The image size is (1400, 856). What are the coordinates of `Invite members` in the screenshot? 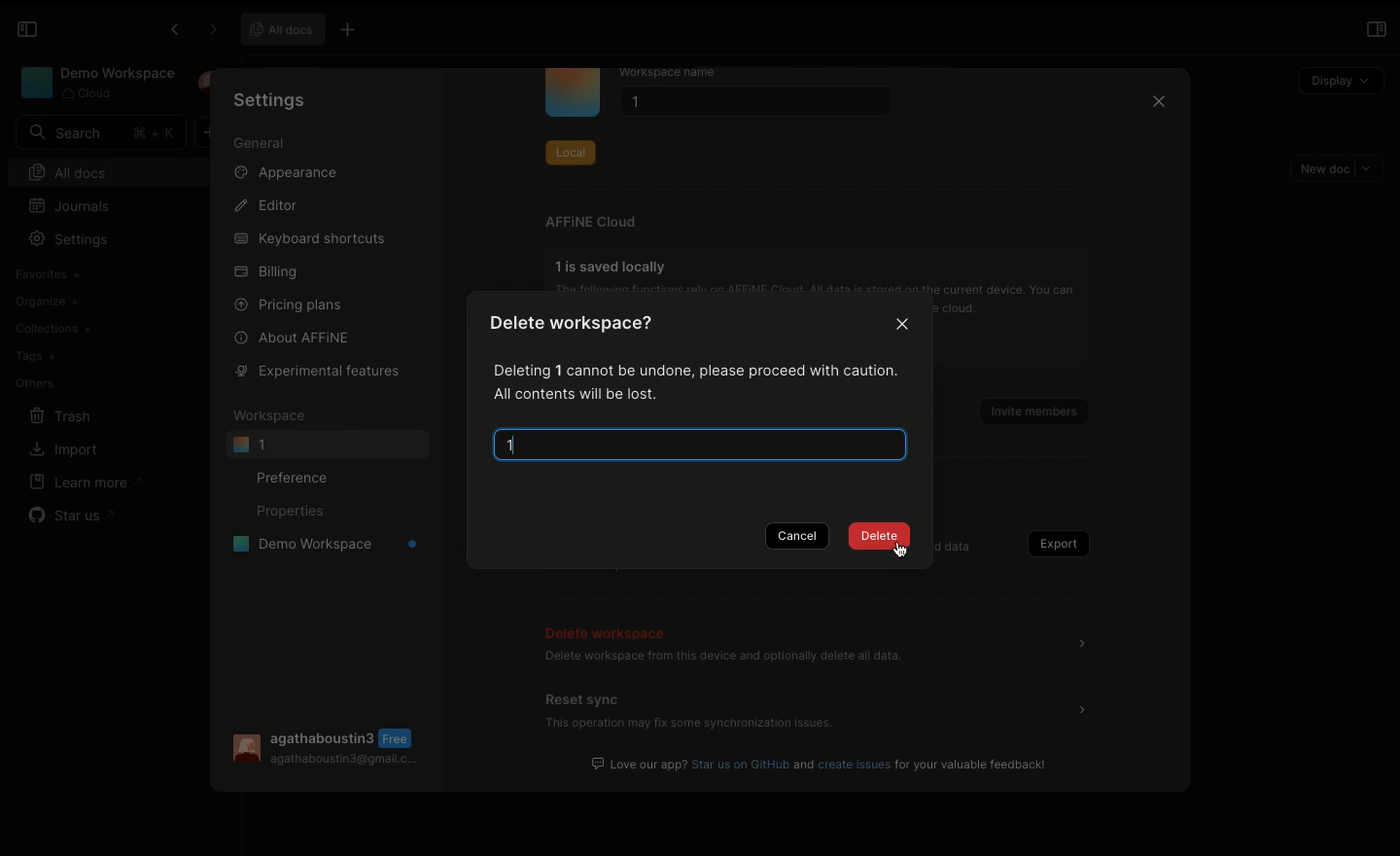 It's located at (1027, 407).